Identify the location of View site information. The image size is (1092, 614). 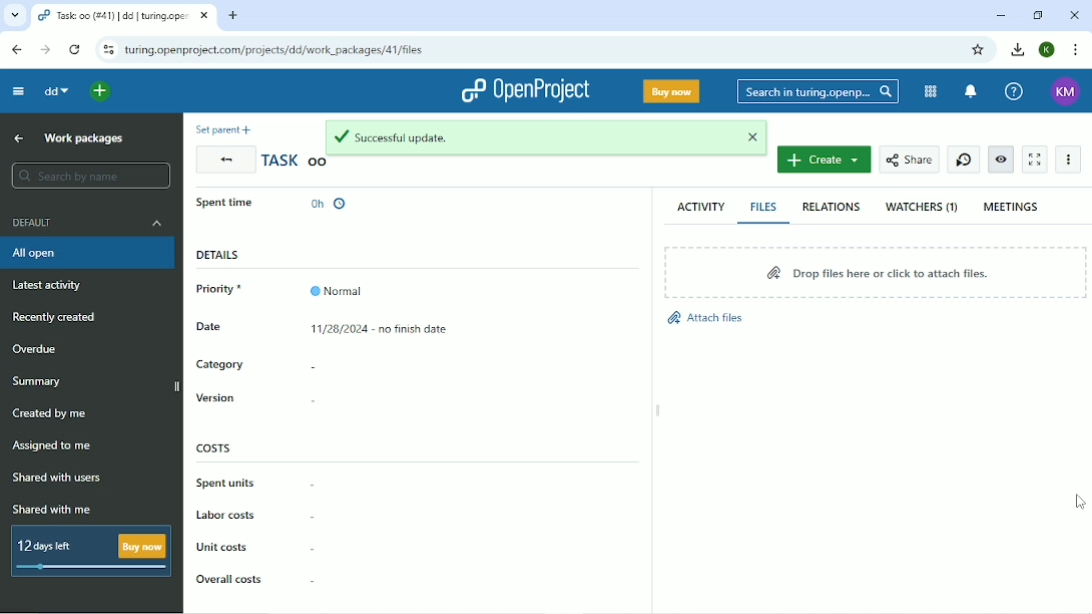
(107, 50).